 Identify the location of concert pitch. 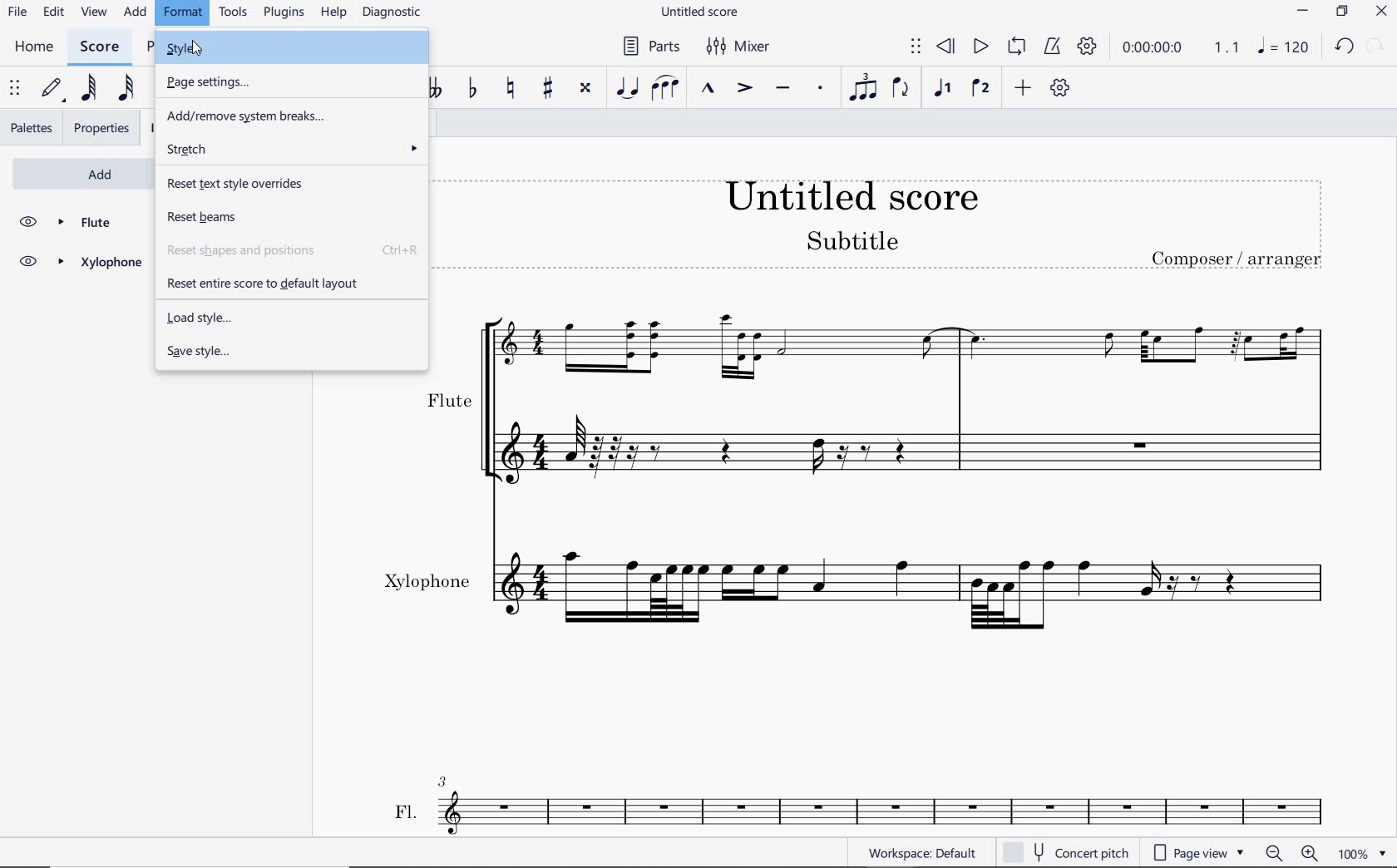
(1064, 852).